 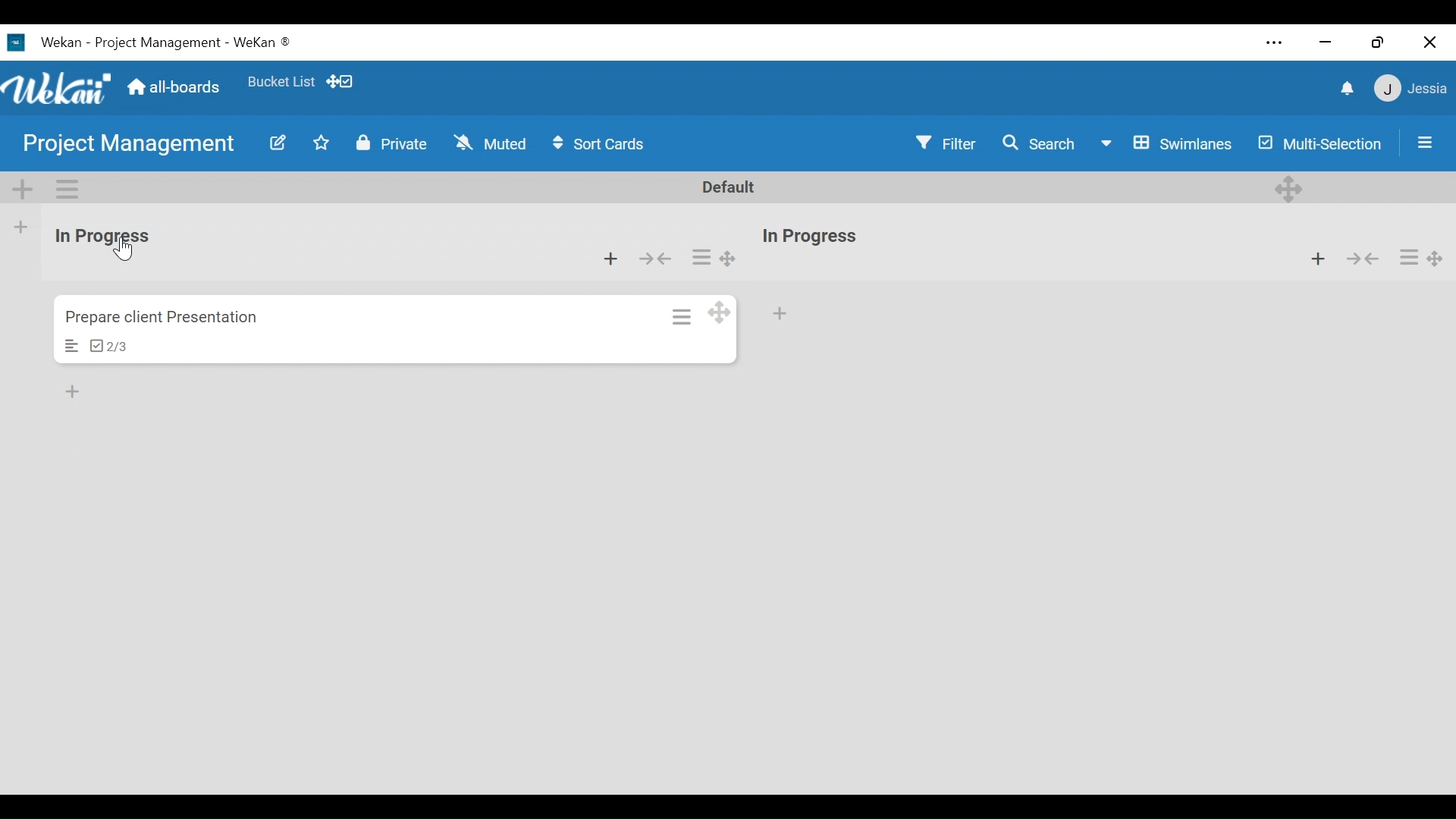 What do you see at coordinates (101, 237) in the screenshot?
I see `List name` at bounding box center [101, 237].